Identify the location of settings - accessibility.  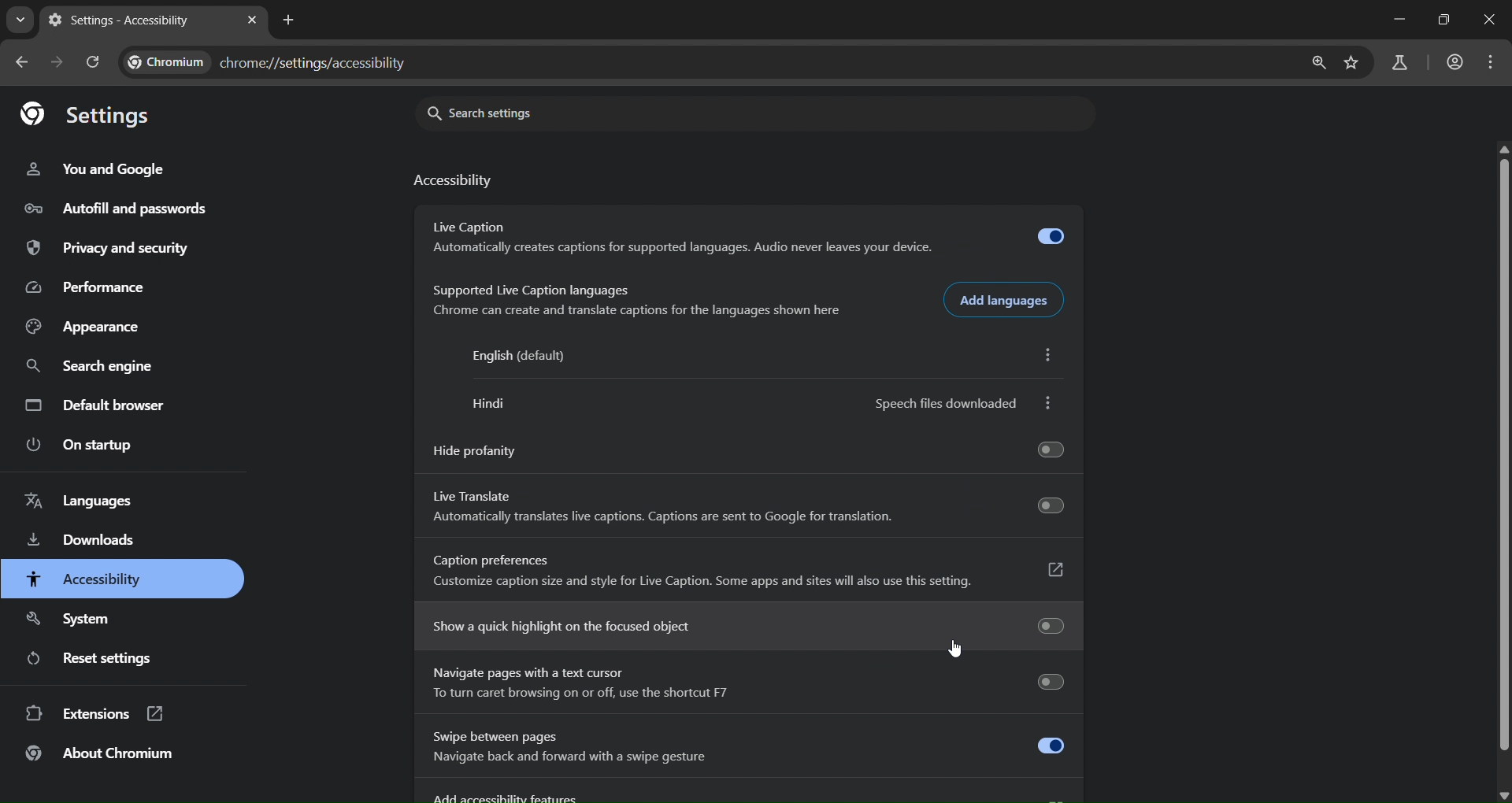
(122, 22).